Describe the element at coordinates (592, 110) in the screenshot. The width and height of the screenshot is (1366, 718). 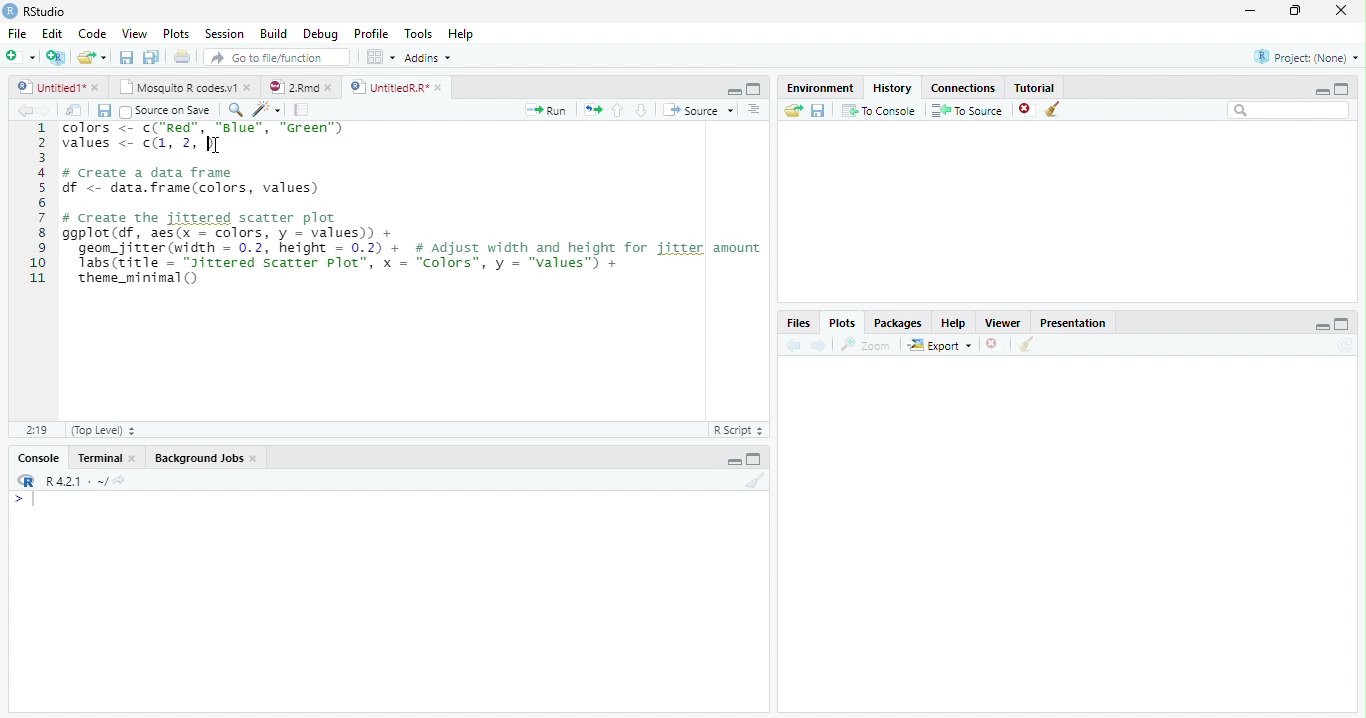
I see `Re-run the previous code region` at that location.